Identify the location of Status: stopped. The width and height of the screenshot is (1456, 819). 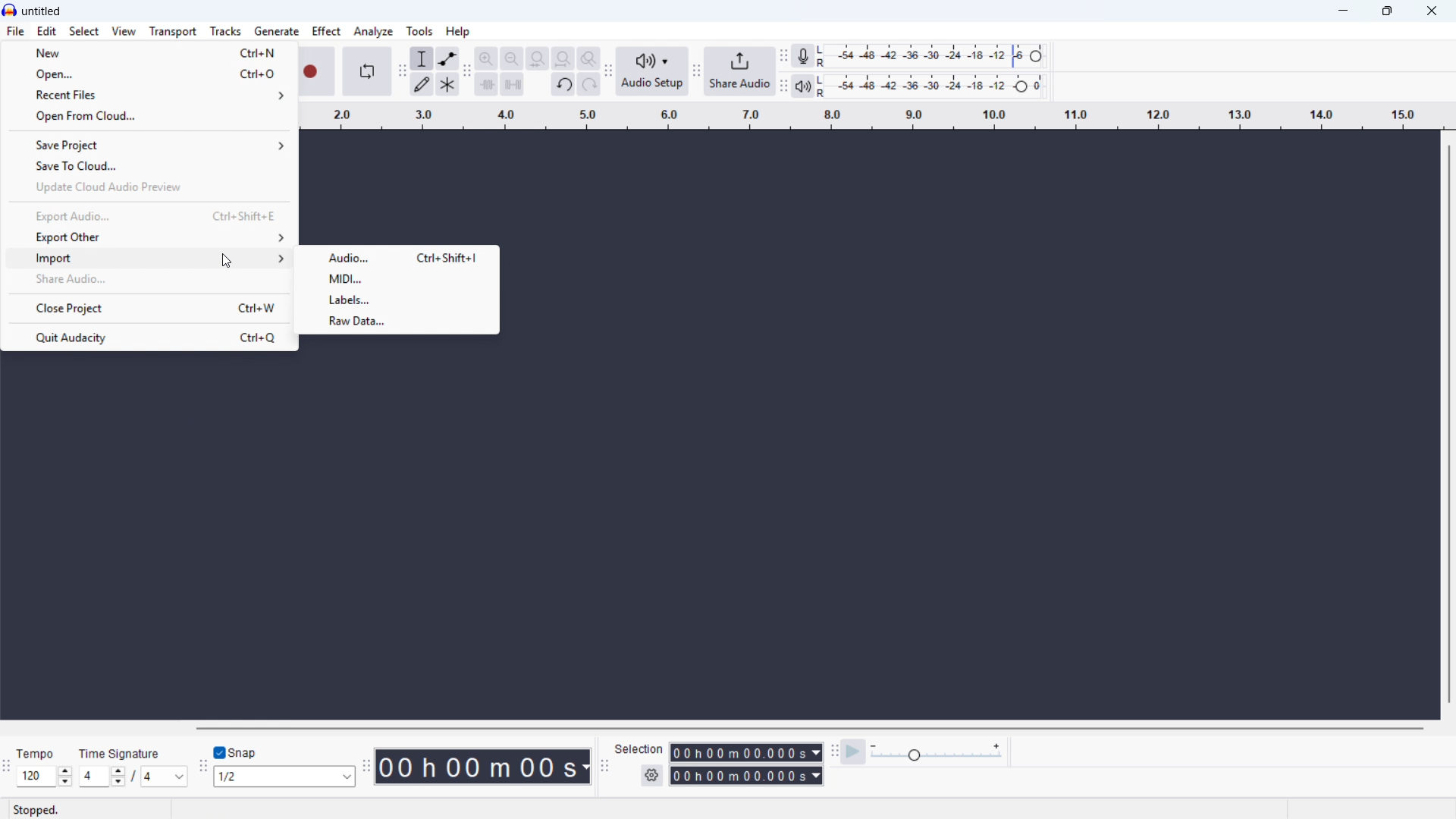
(36, 810).